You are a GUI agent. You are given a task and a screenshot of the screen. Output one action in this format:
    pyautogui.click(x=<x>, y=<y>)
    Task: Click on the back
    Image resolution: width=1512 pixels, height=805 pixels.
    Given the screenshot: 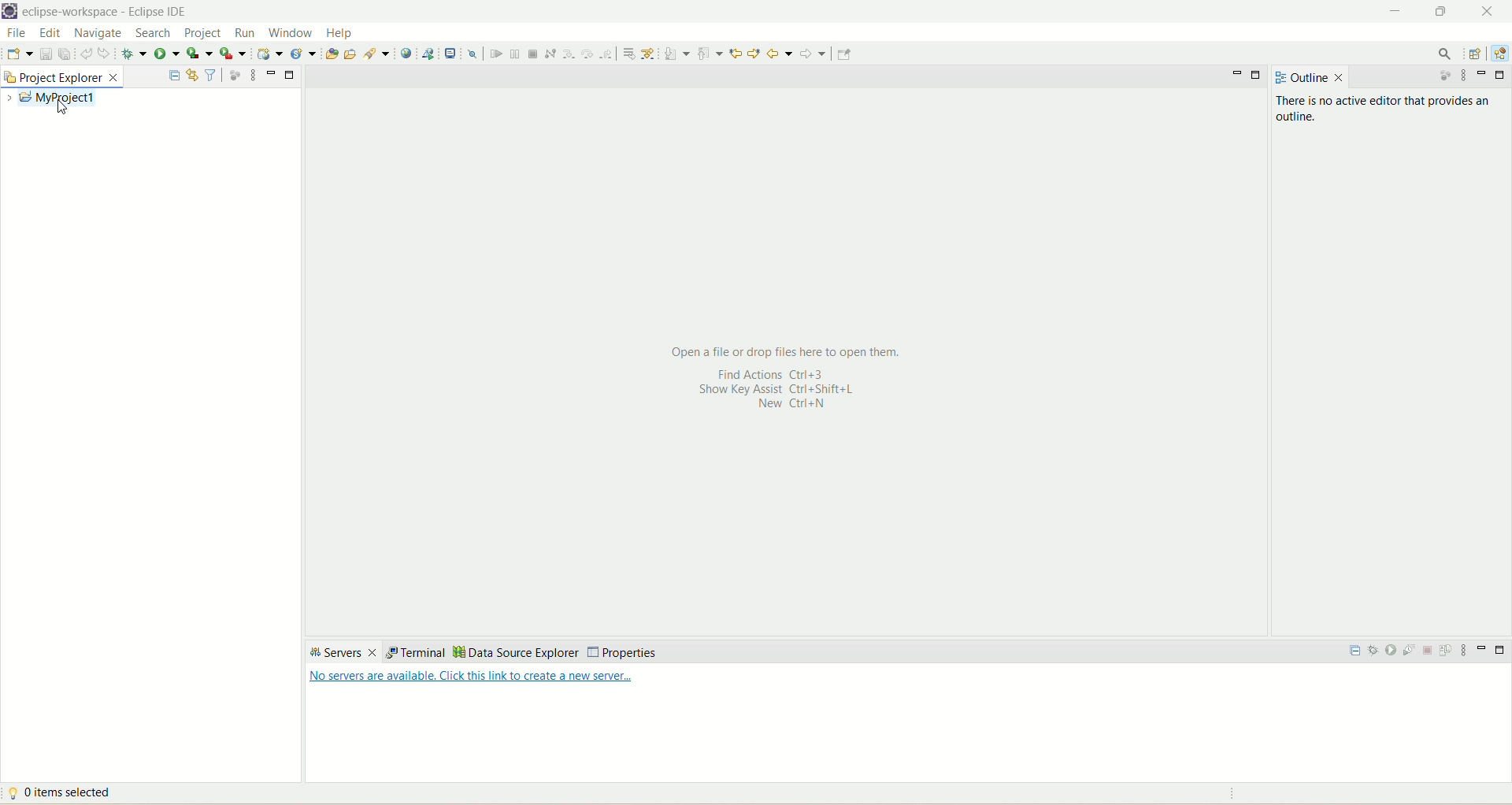 What is the action you would take?
    pyautogui.click(x=780, y=54)
    